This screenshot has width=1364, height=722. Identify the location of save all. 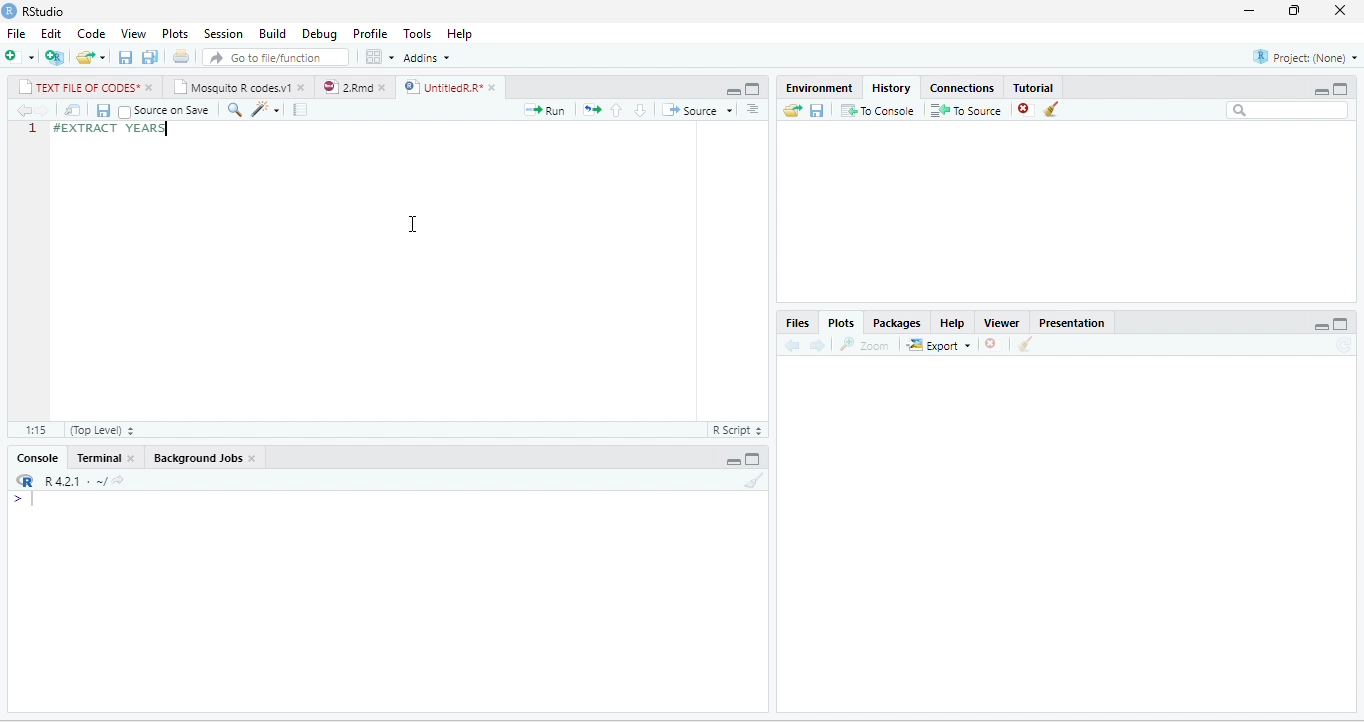
(149, 56).